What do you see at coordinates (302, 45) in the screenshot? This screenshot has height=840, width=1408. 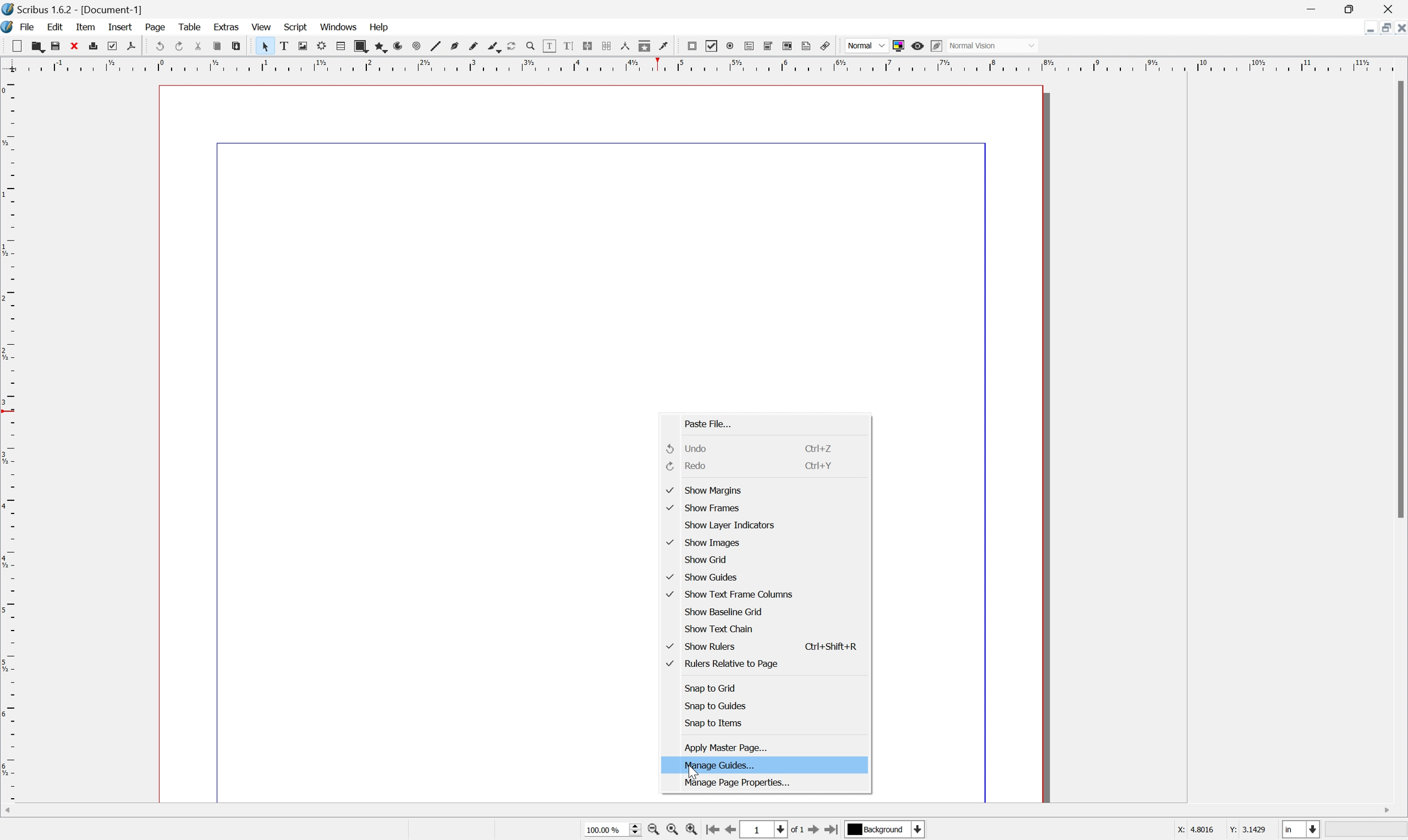 I see `image frame` at bounding box center [302, 45].